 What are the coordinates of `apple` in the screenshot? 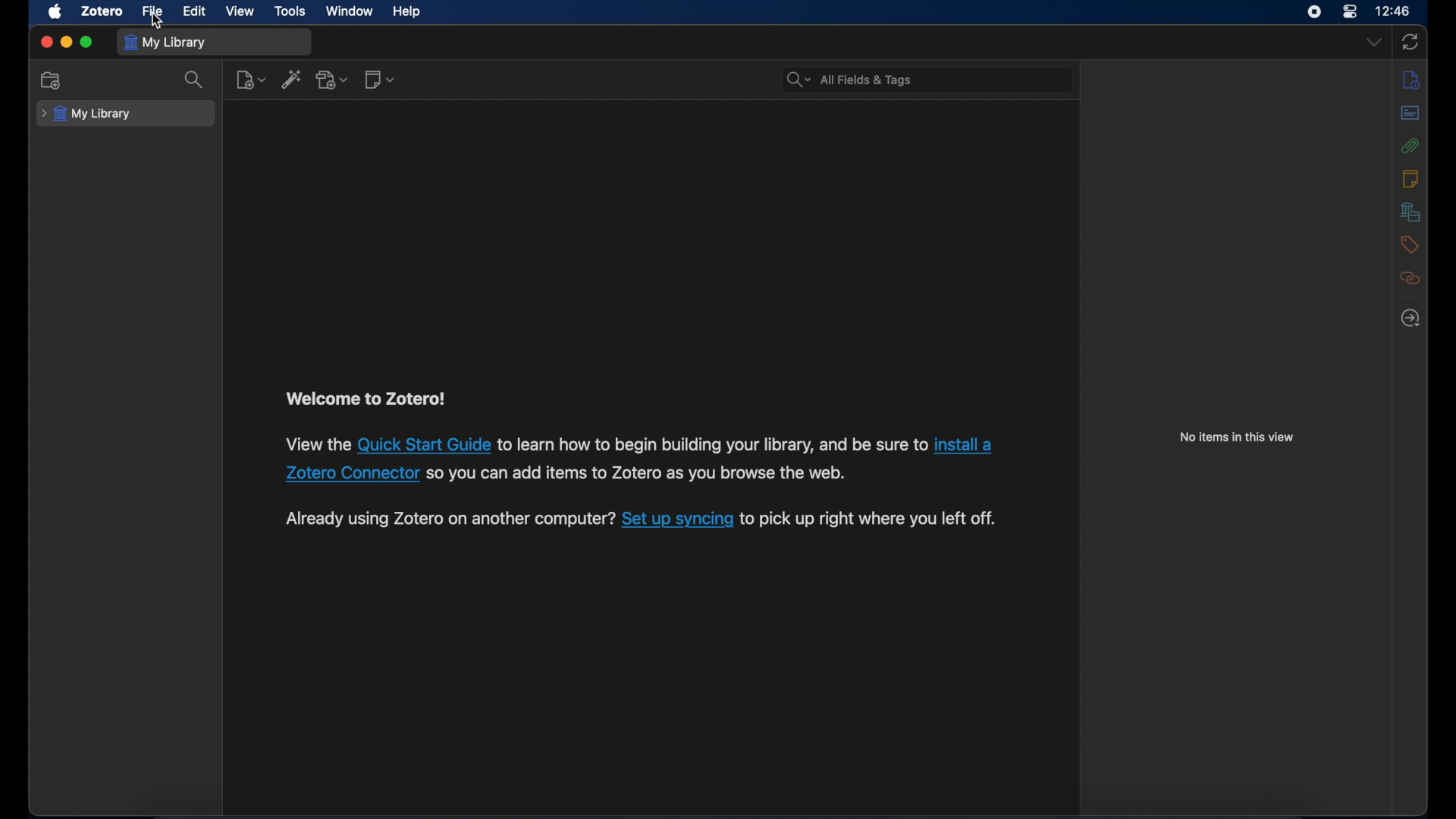 It's located at (55, 12).